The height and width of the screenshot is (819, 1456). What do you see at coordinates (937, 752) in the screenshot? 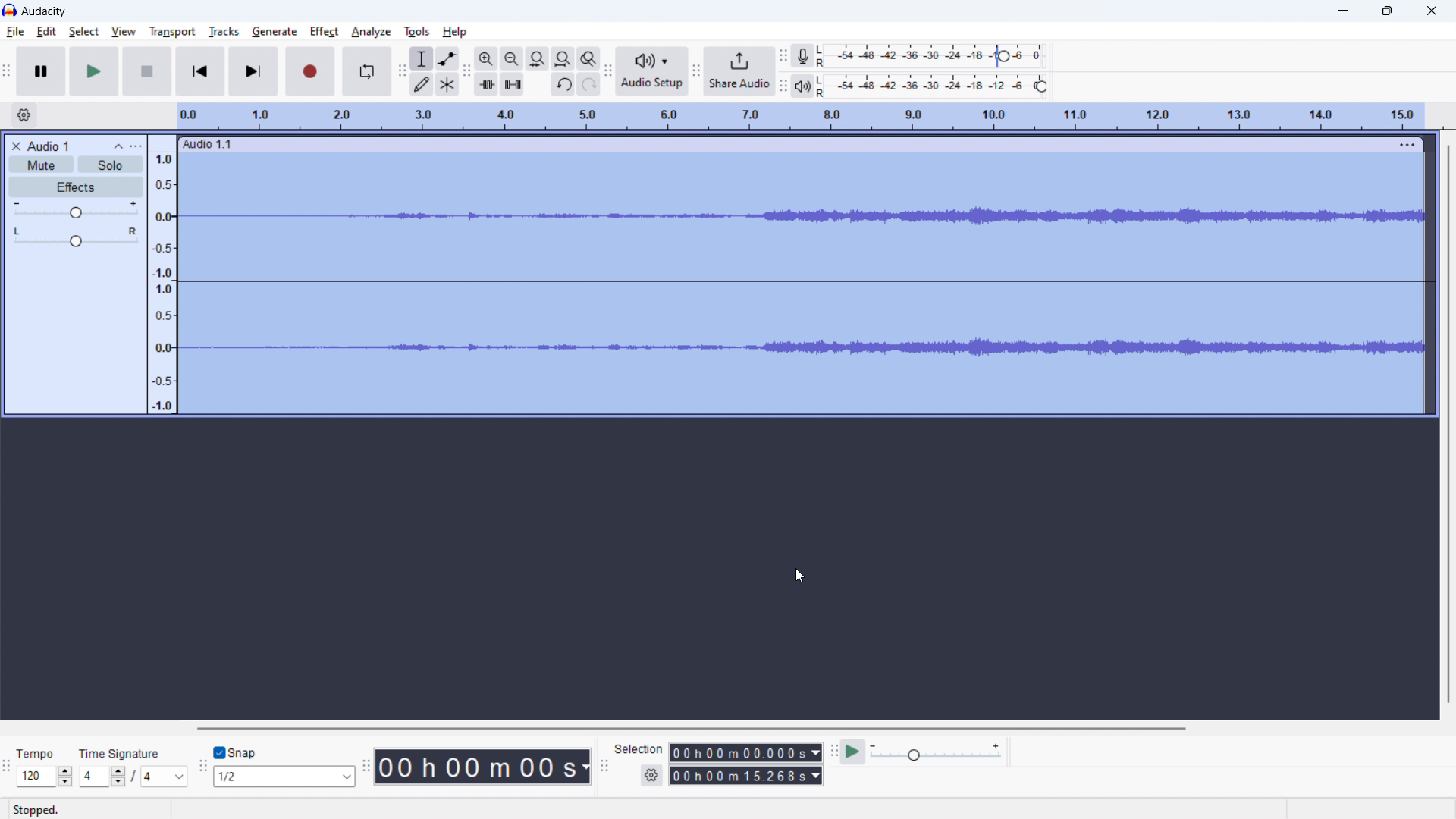
I see `playback meter` at bounding box center [937, 752].